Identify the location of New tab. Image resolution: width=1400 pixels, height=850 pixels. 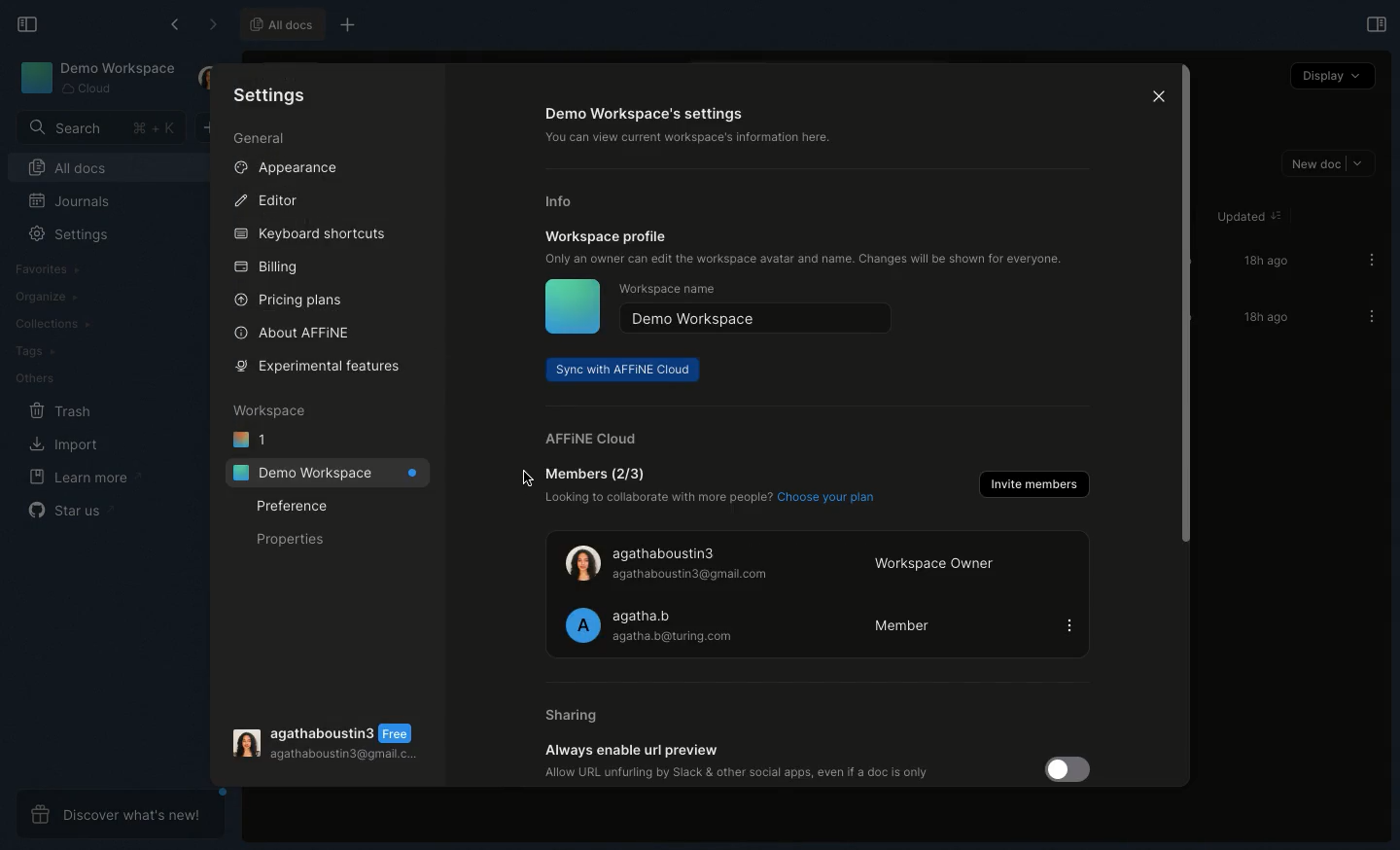
(346, 25).